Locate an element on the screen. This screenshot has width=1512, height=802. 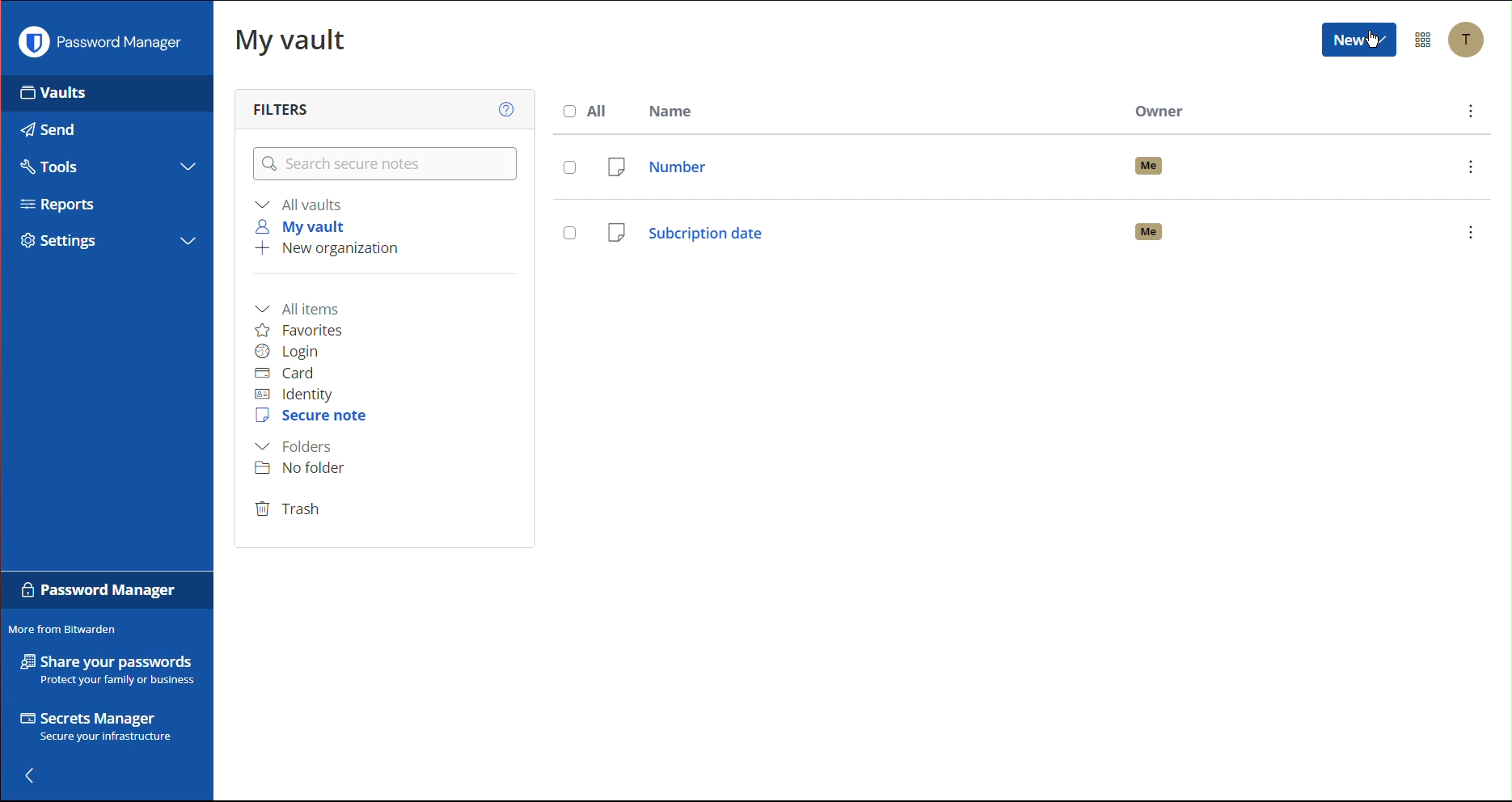
Number is located at coordinates (1024, 163).